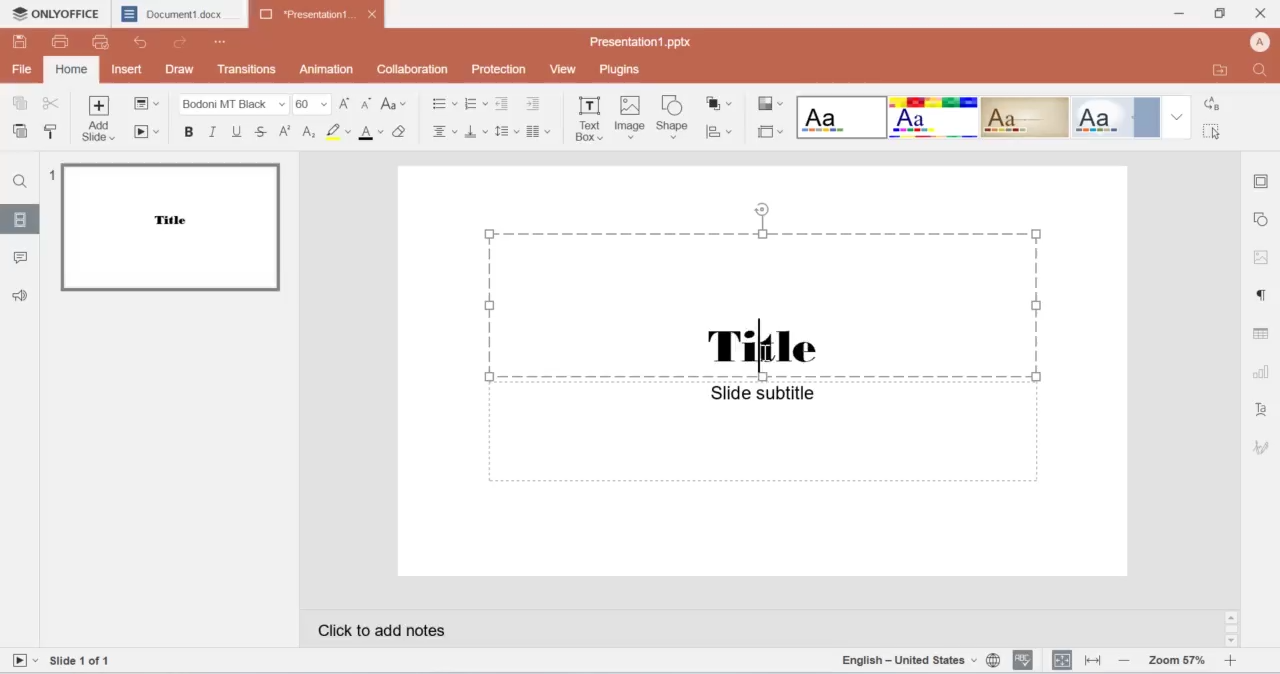  I want to click on logo, so click(54, 13).